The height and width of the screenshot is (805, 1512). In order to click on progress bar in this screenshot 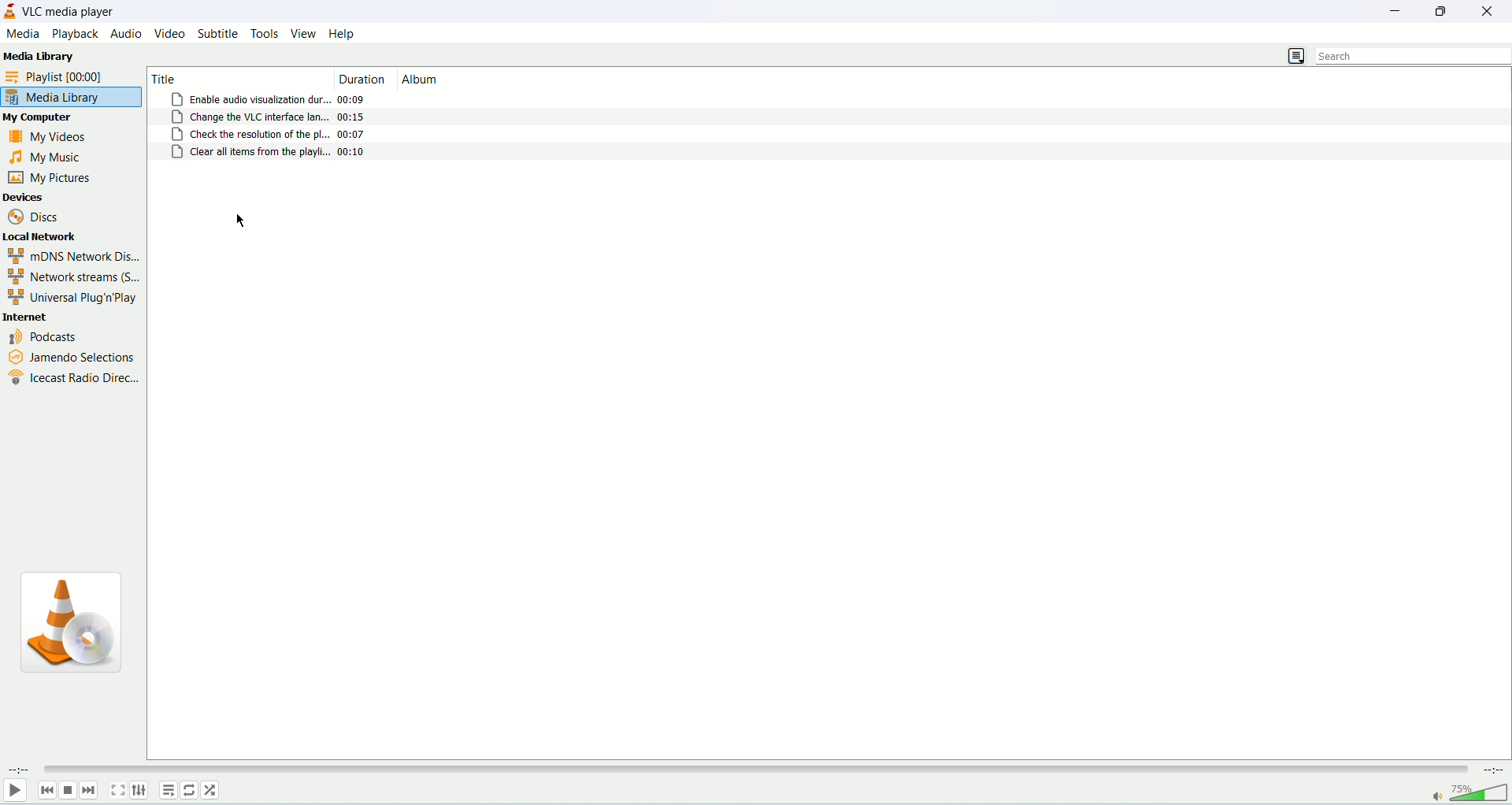, I will do `click(754, 768)`.